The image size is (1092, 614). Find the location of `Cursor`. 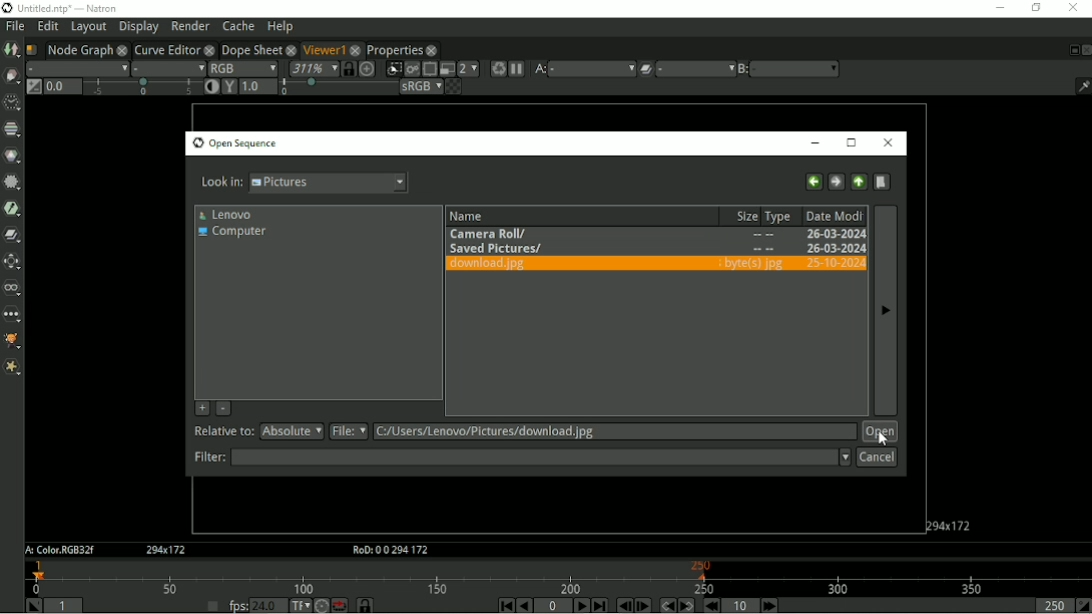

Cursor is located at coordinates (881, 441).